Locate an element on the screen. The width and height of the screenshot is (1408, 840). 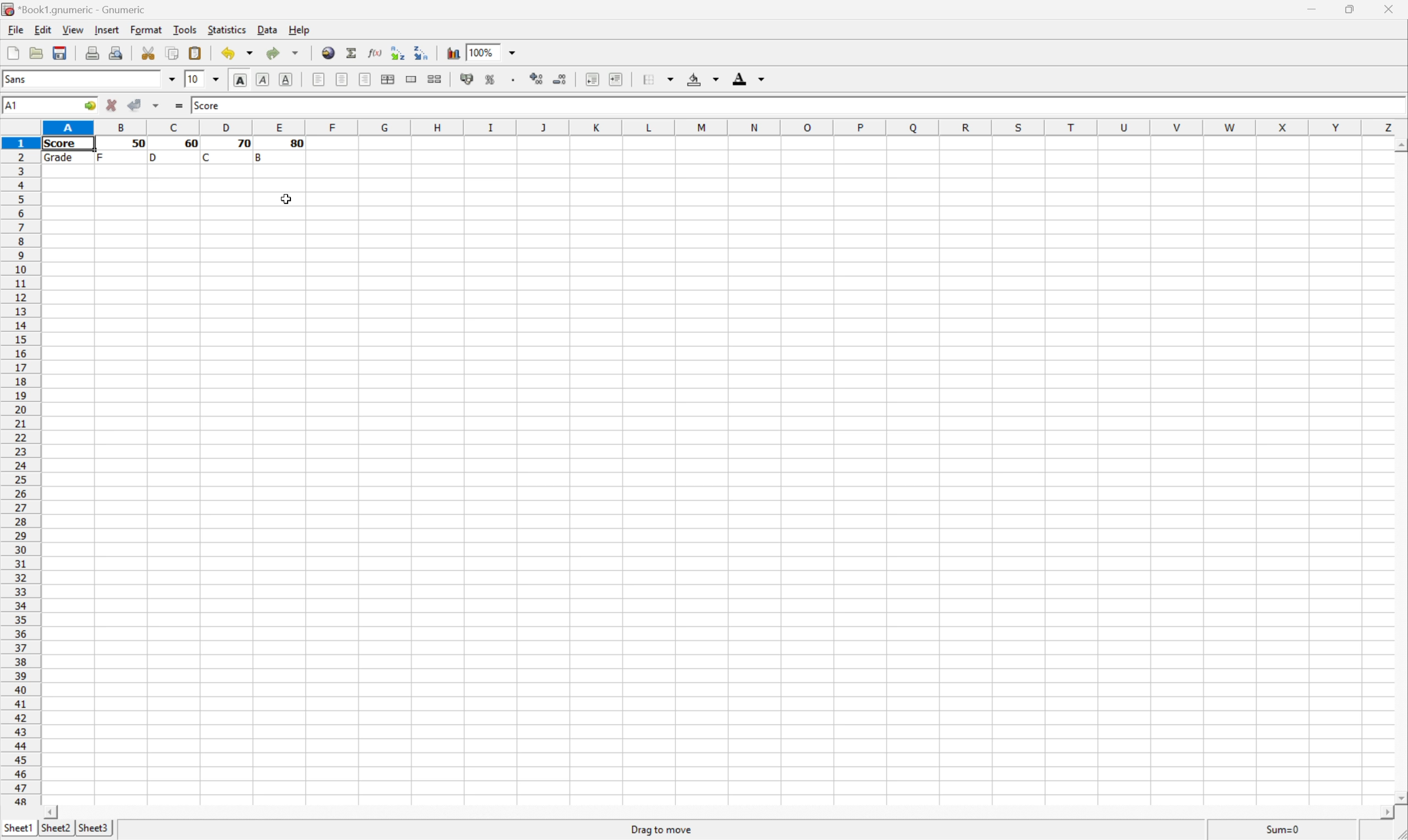
Scroll Right is located at coordinates (1382, 812).